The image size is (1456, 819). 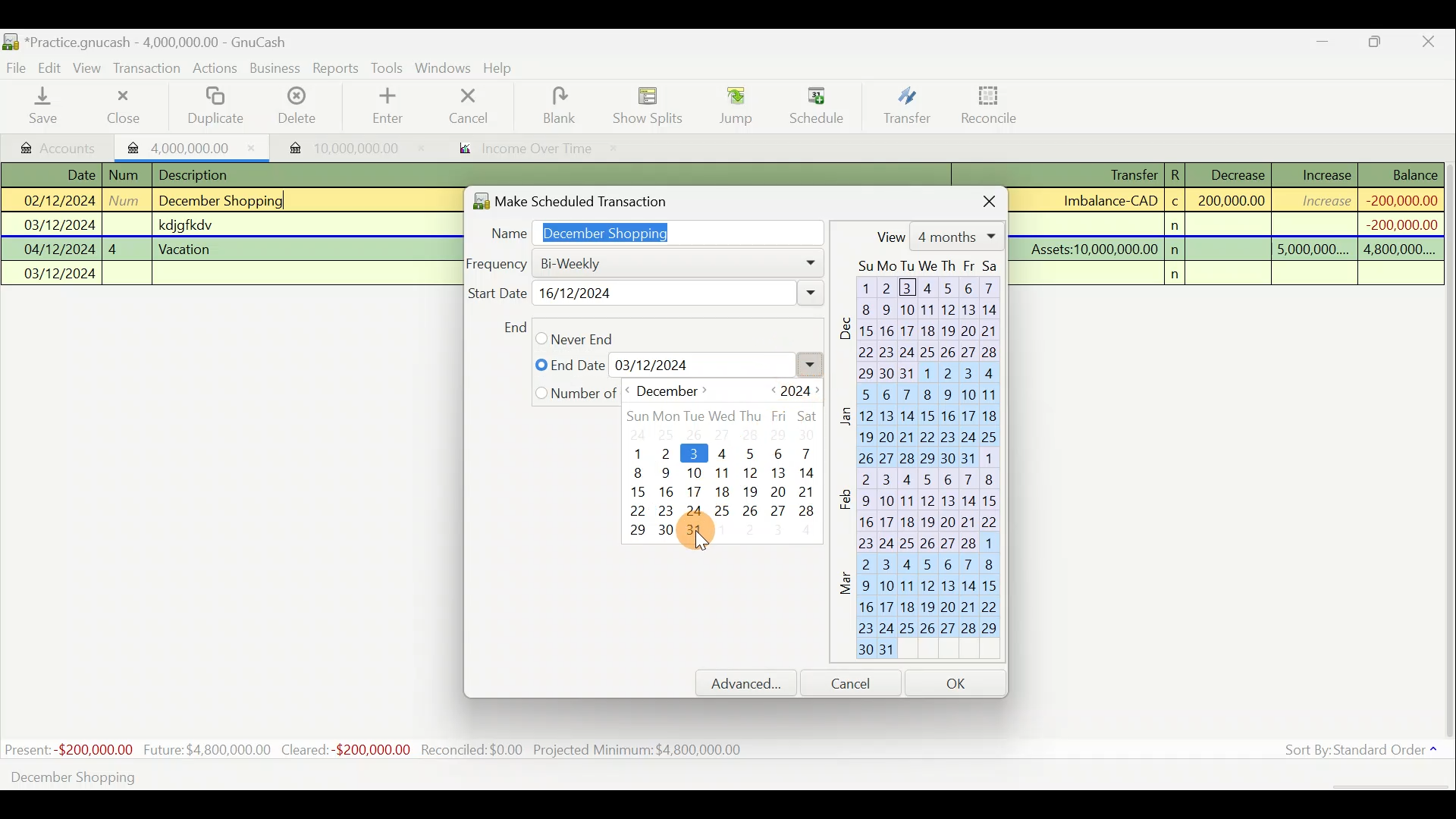 I want to click on Duplicate, so click(x=212, y=107).